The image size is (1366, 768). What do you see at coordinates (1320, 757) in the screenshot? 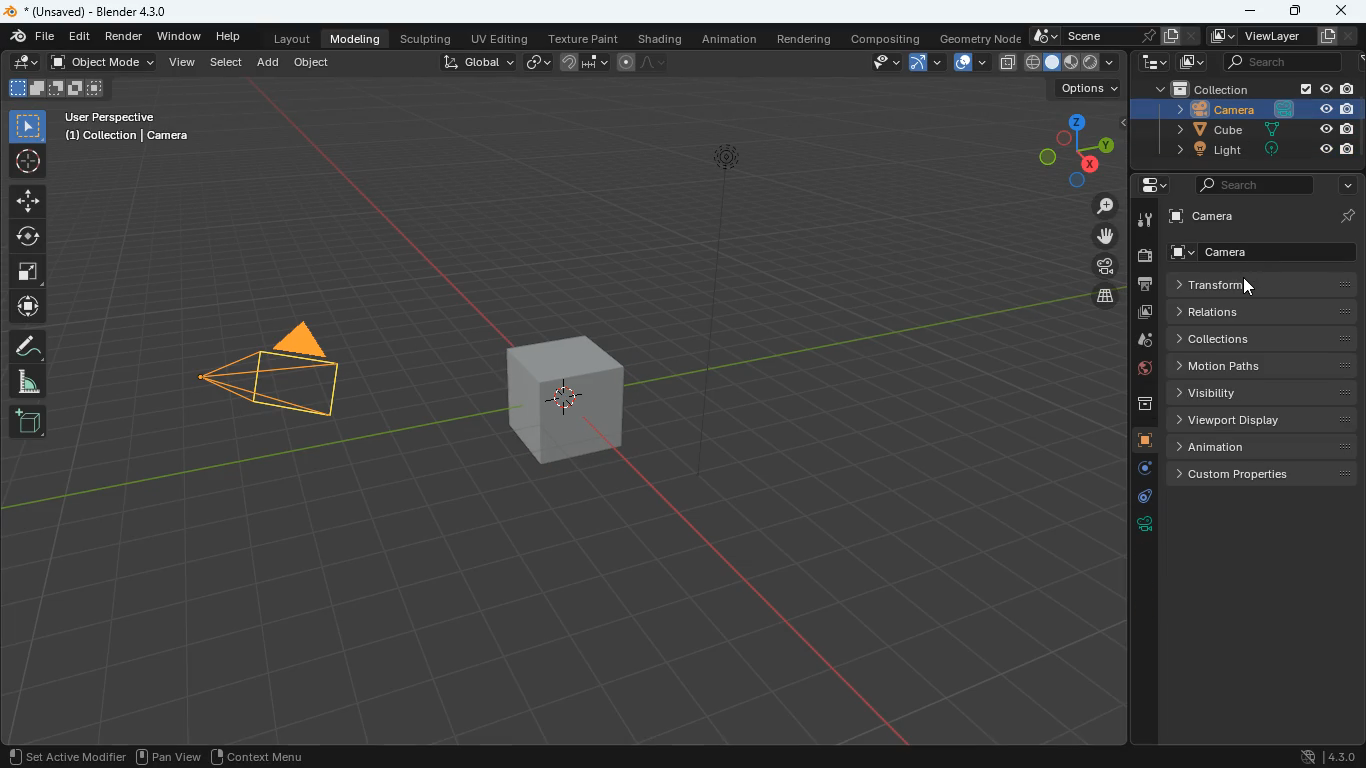
I see `version` at bounding box center [1320, 757].